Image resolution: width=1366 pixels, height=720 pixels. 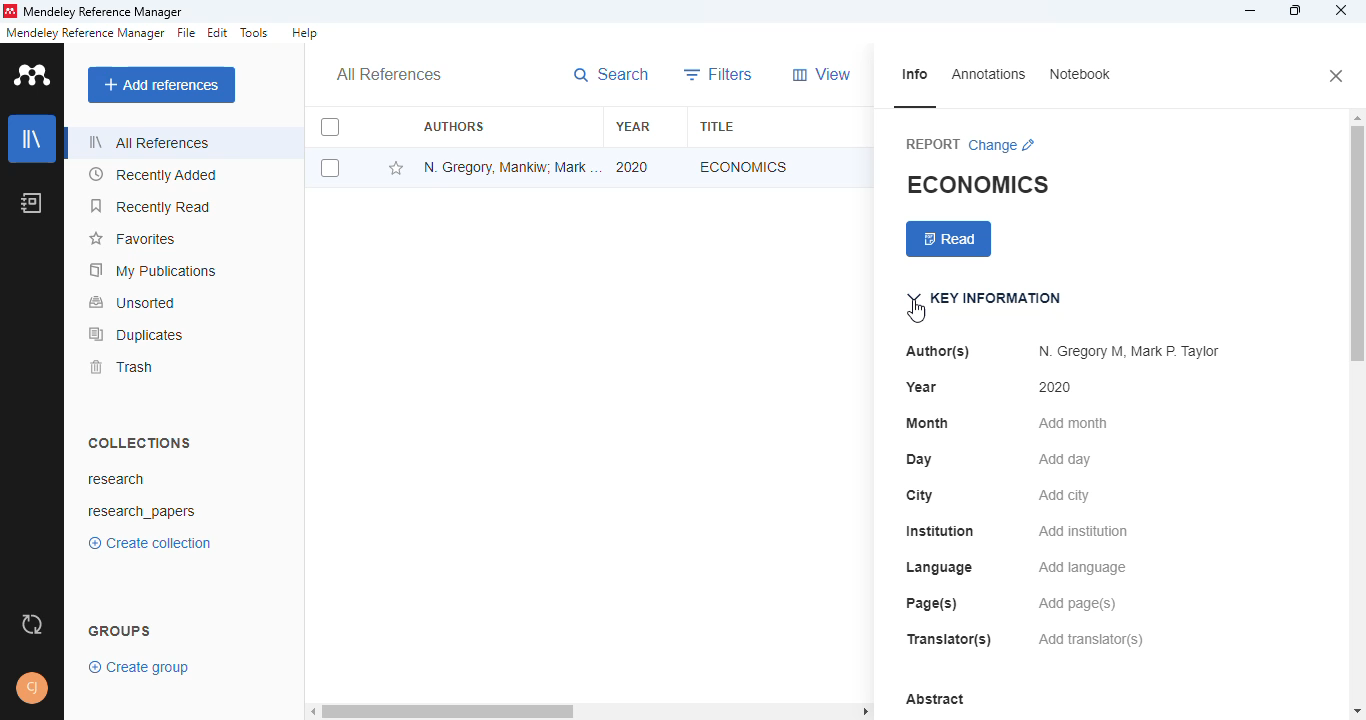 What do you see at coordinates (120, 631) in the screenshot?
I see `groups` at bounding box center [120, 631].